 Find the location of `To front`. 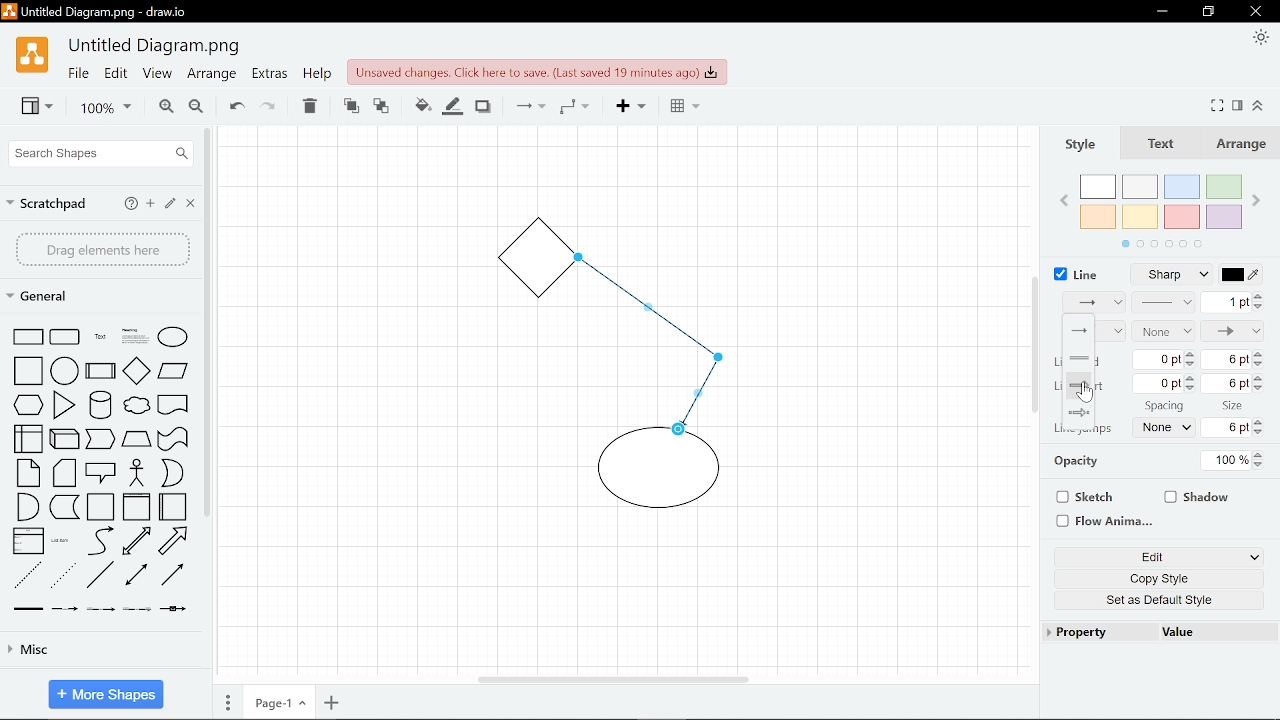

To front is located at coordinates (350, 105).